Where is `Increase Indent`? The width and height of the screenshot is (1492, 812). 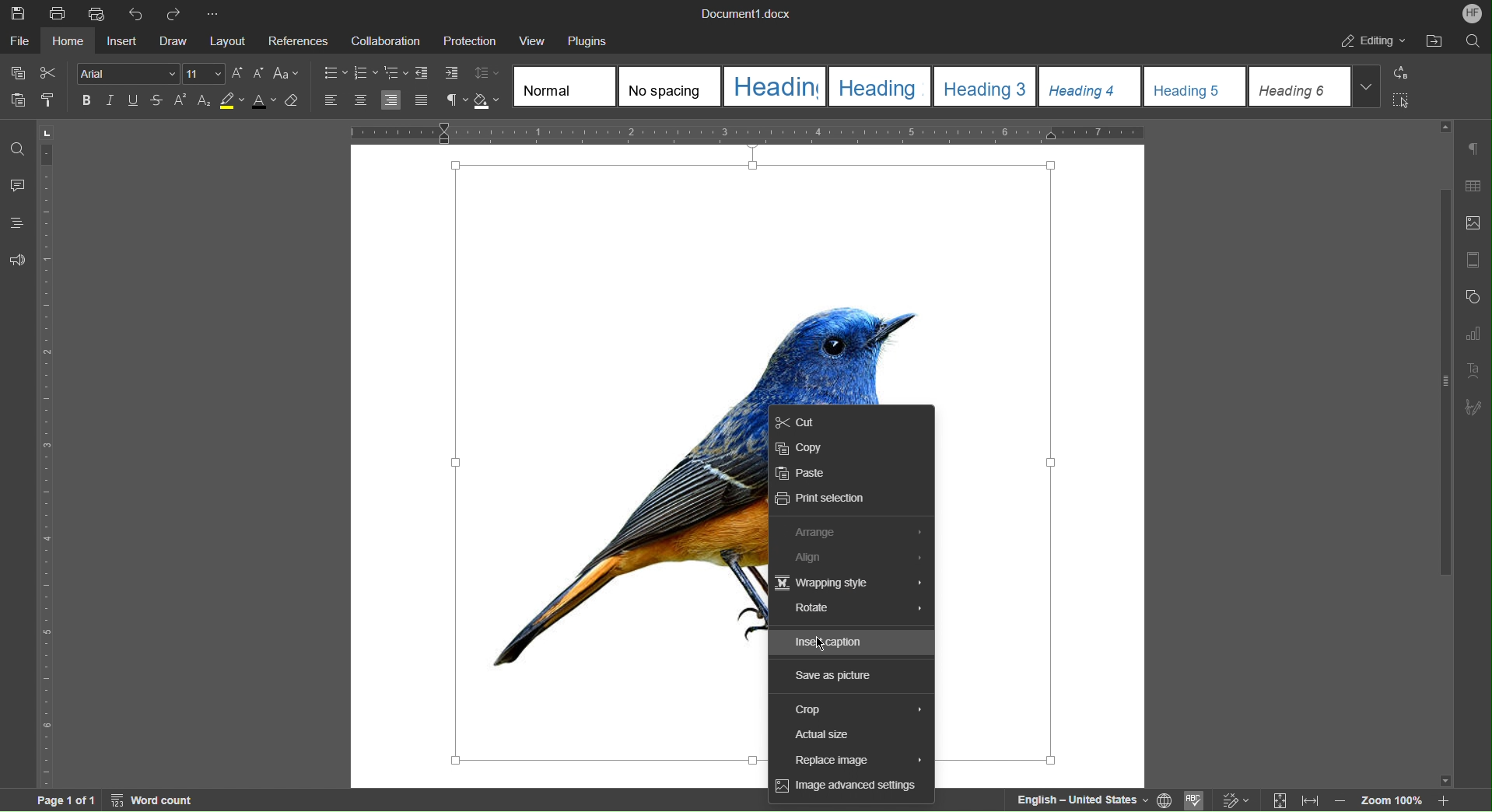 Increase Indent is located at coordinates (451, 75).